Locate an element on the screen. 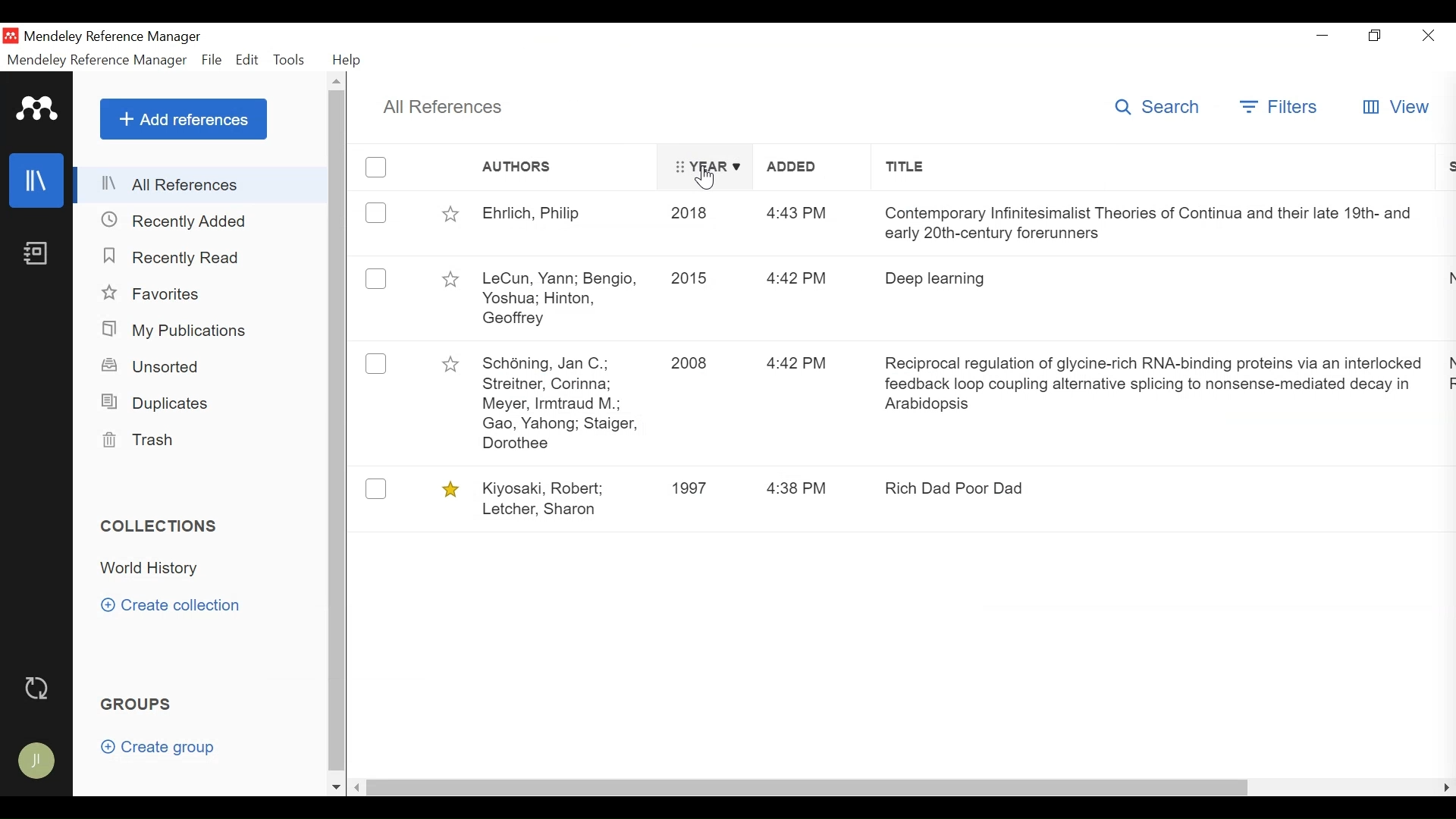  scroll right is located at coordinates (1442, 789).